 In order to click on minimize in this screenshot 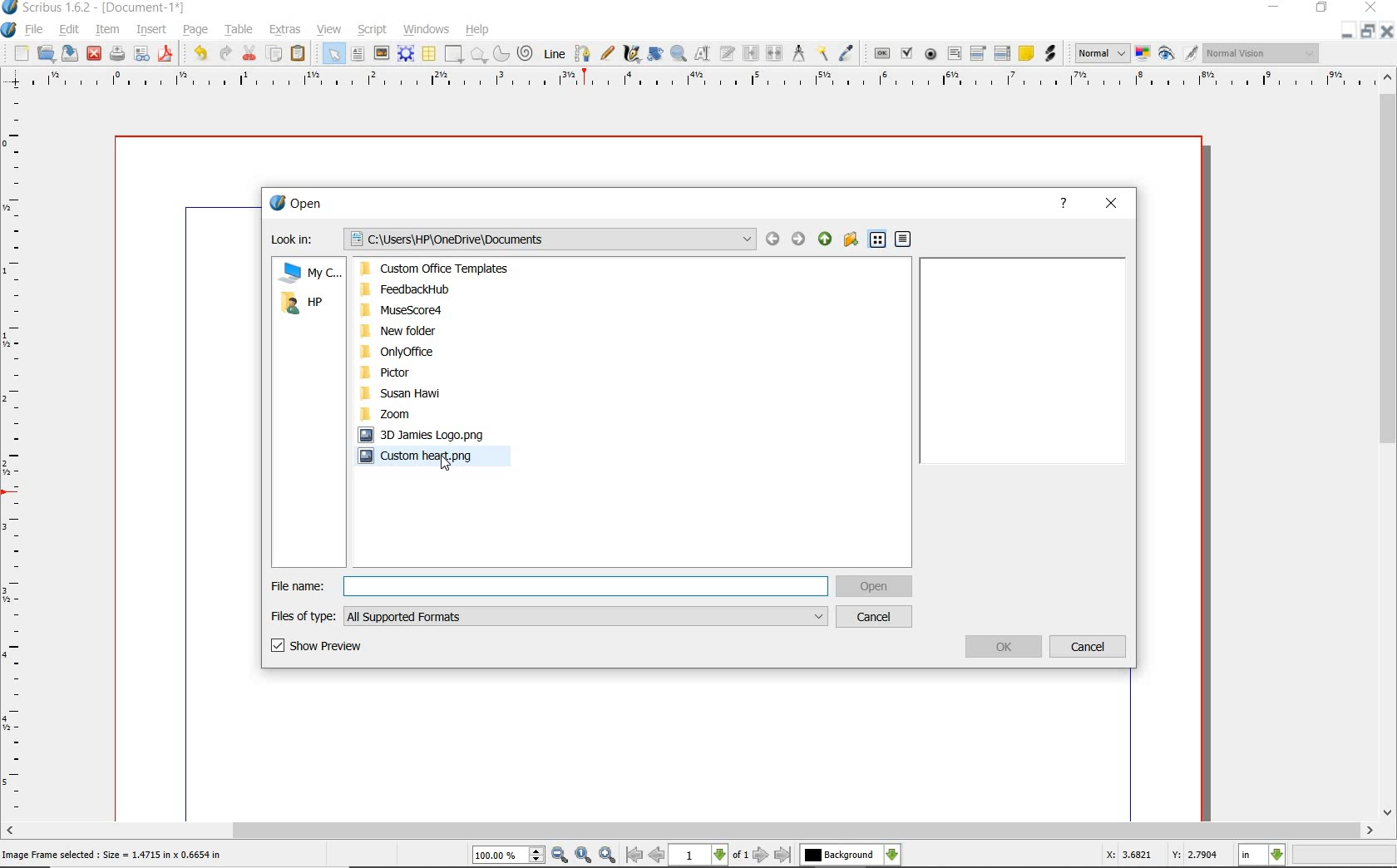, I will do `click(1345, 32)`.